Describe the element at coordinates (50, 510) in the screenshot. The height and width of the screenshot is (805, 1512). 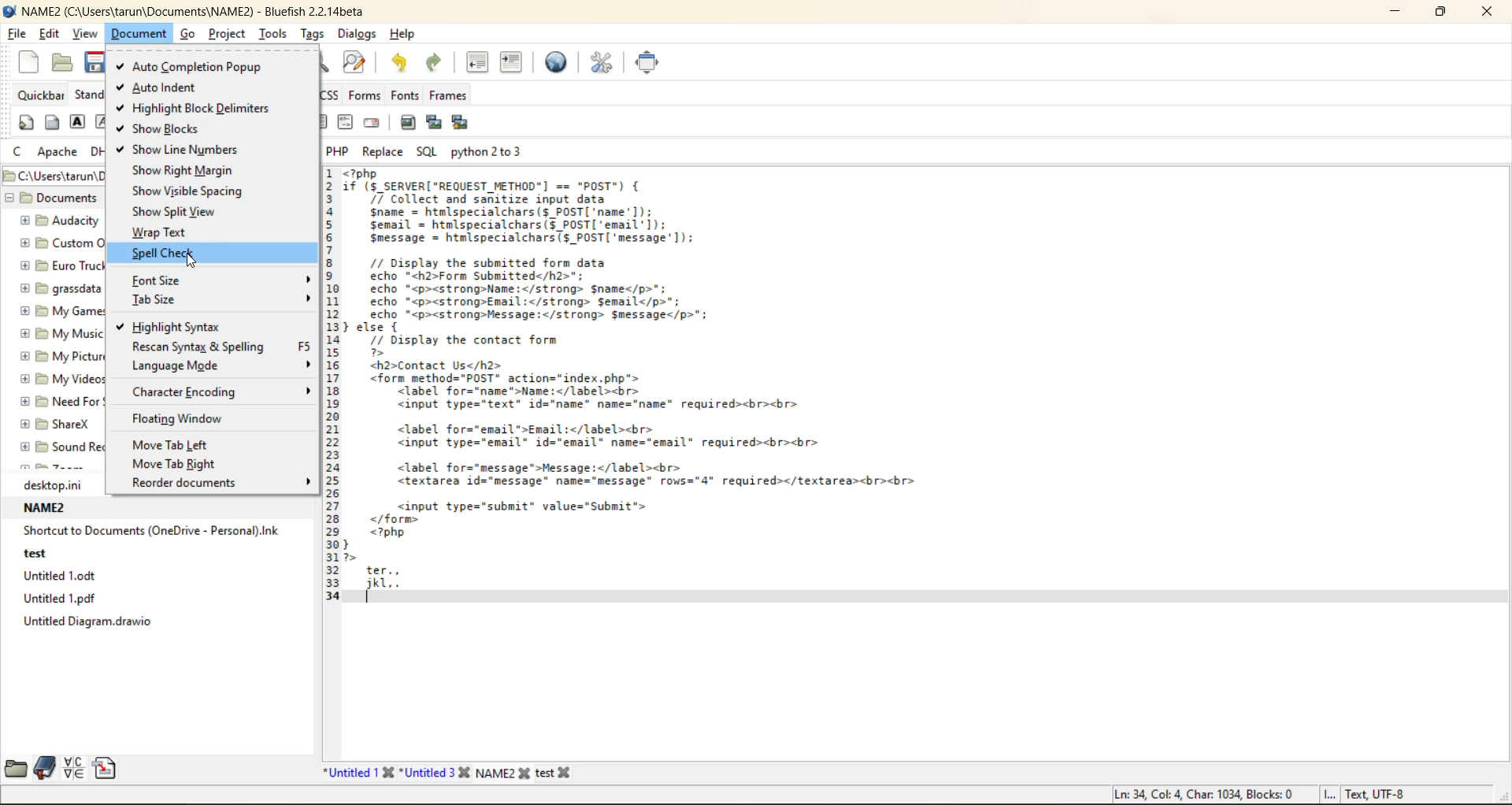
I see `name2` at that location.